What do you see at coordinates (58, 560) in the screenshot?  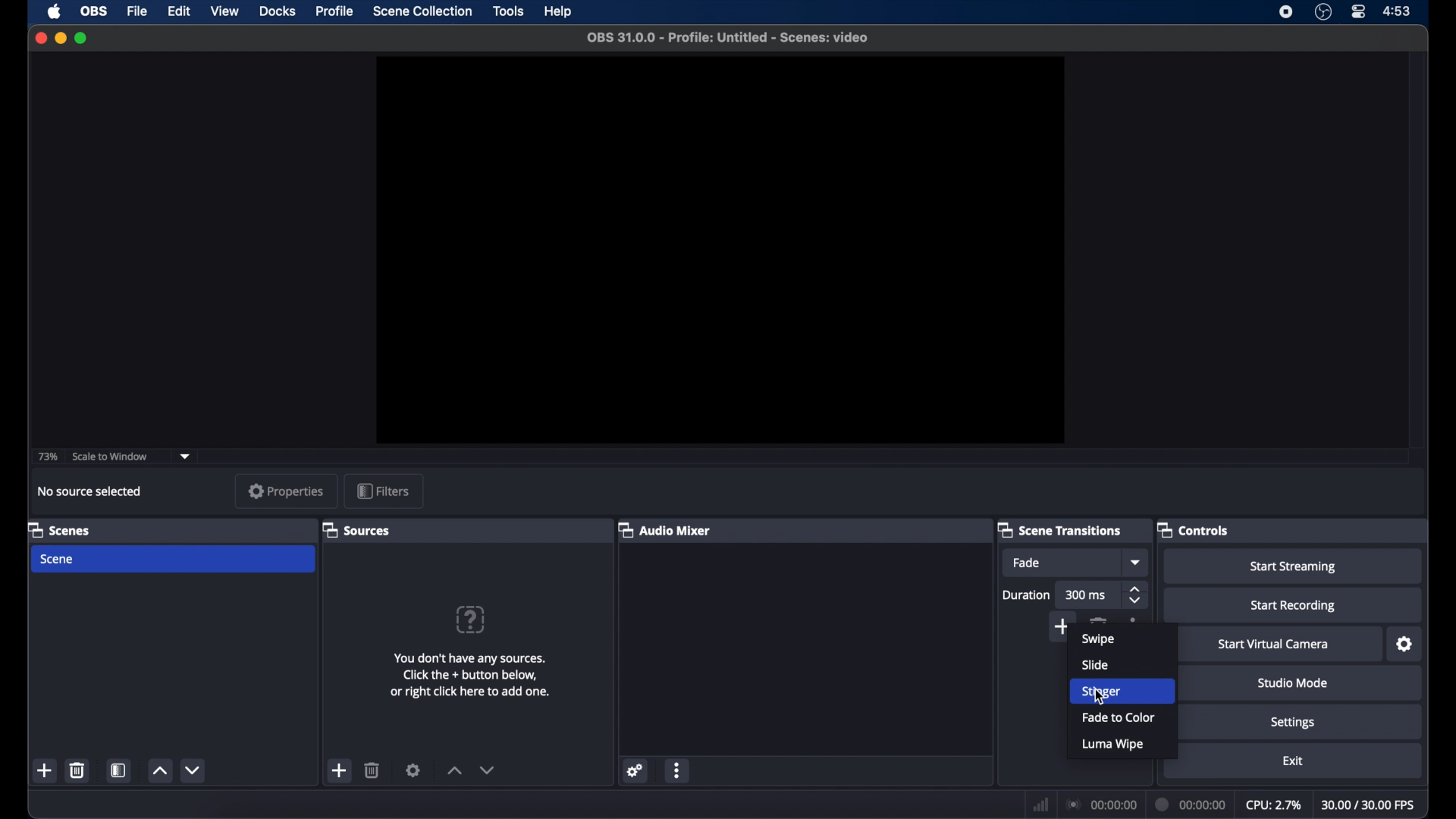 I see `scene` at bounding box center [58, 560].